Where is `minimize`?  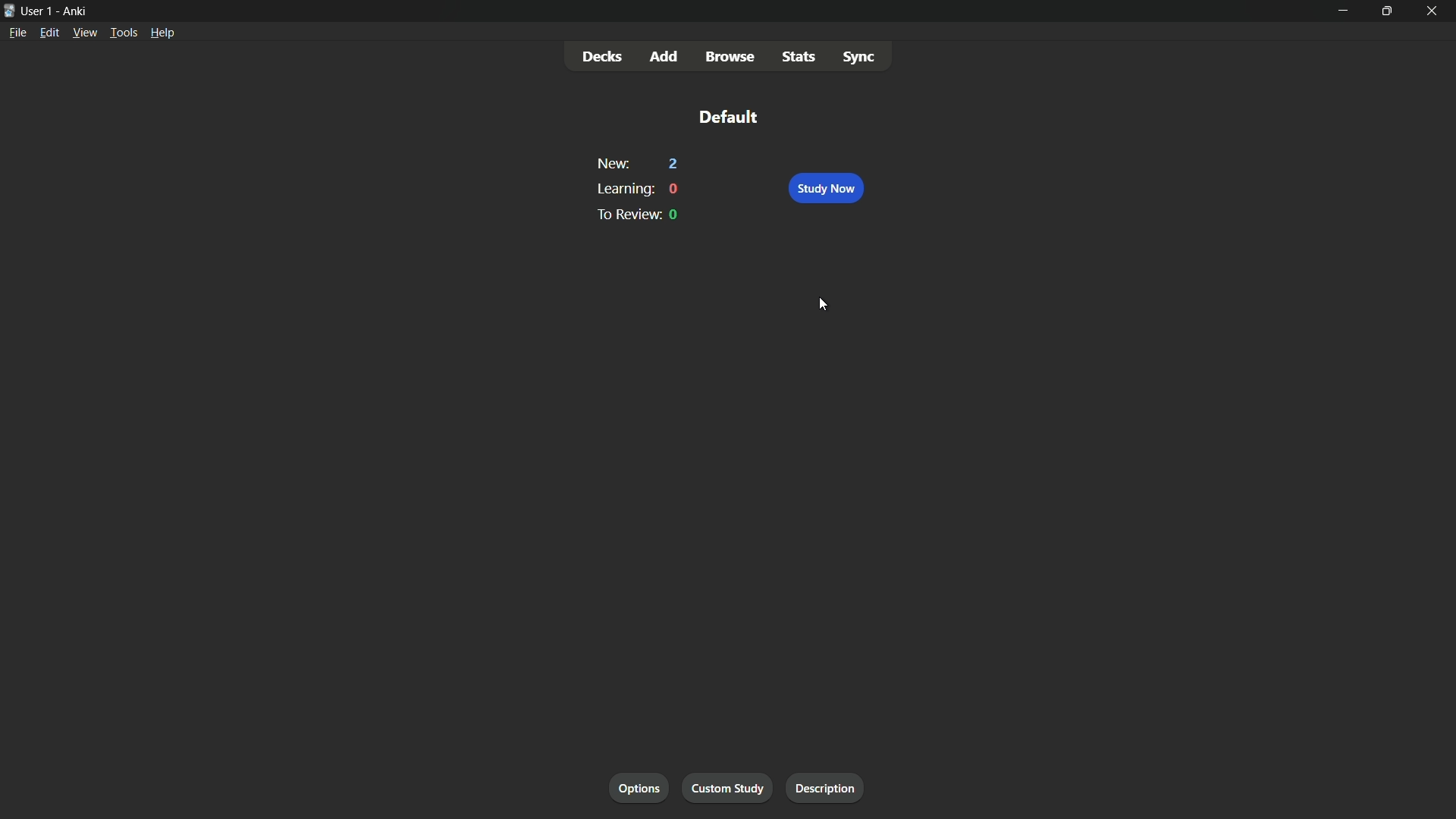 minimize is located at coordinates (1341, 11).